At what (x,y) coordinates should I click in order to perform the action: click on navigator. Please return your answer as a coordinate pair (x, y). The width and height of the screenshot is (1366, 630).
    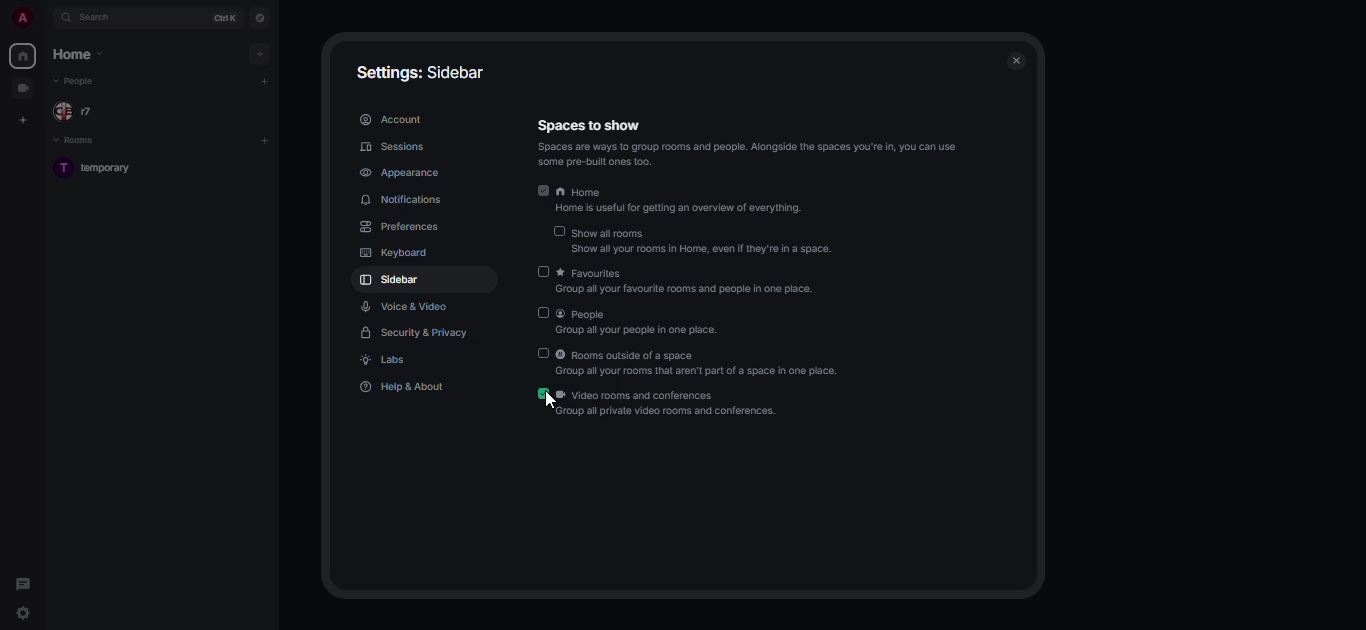
    Looking at the image, I should click on (261, 18).